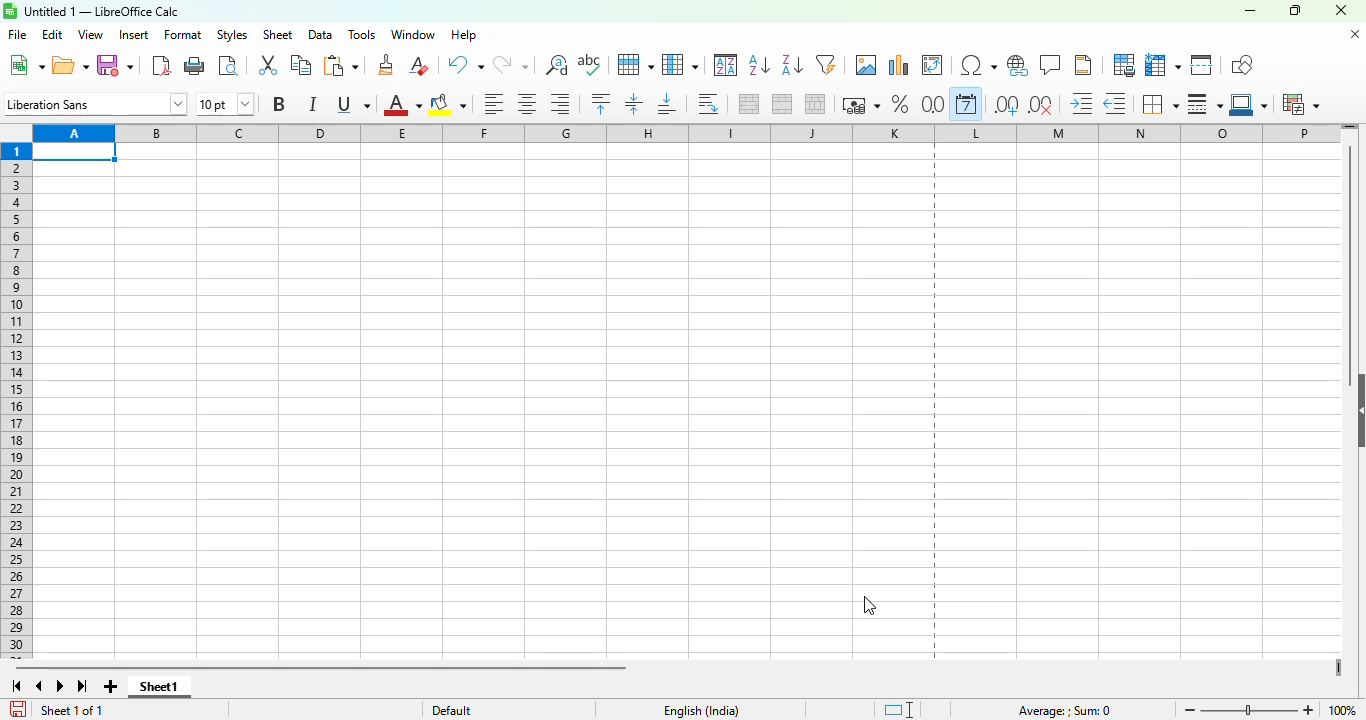 The height and width of the screenshot is (720, 1366). What do you see at coordinates (1250, 10) in the screenshot?
I see `minimize` at bounding box center [1250, 10].